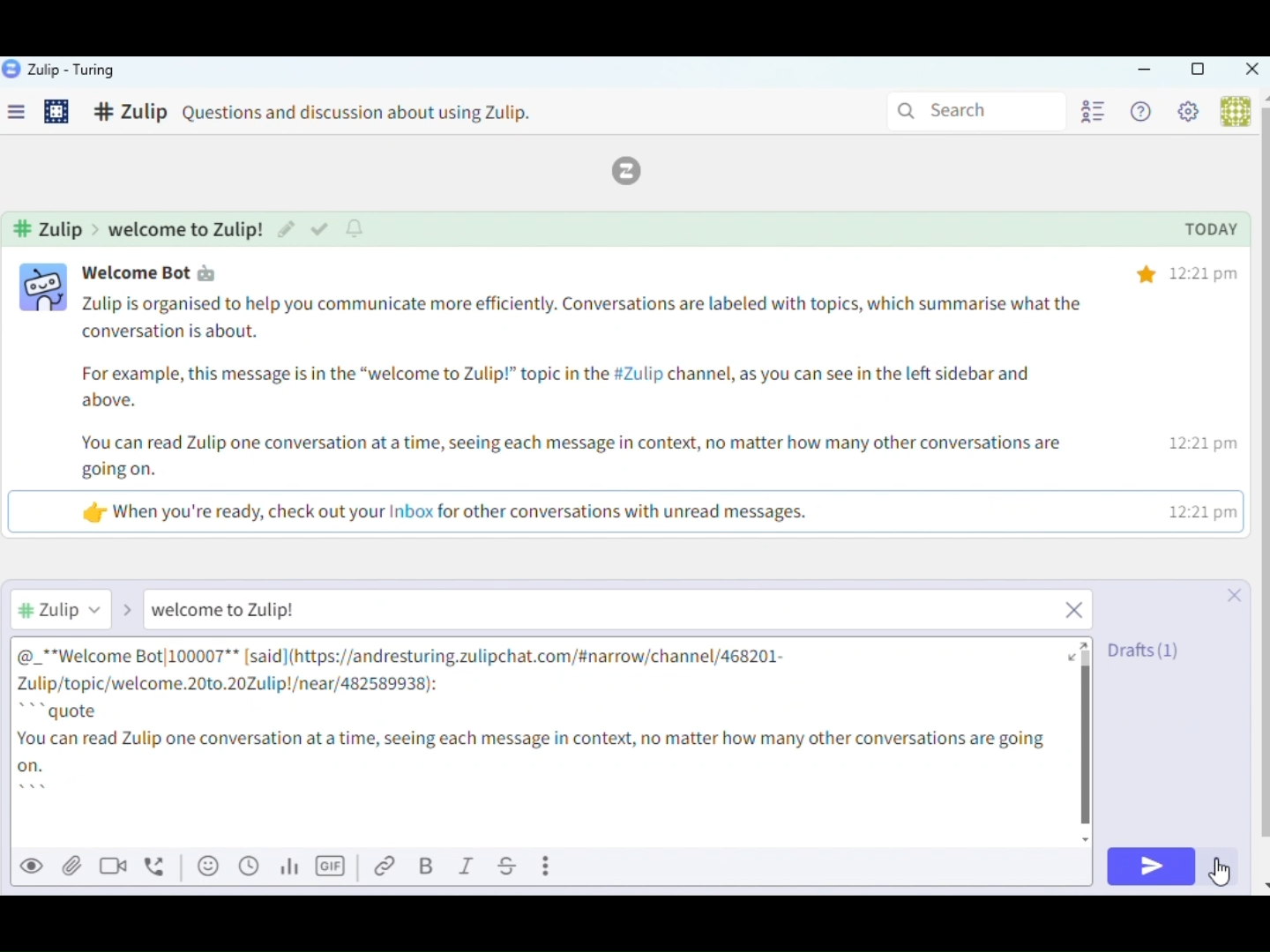 The height and width of the screenshot is (952, 1270). What do you see at coordinates (1144, 113) in the screenshot?
I see `Help` at bounding box center [1144, 113].